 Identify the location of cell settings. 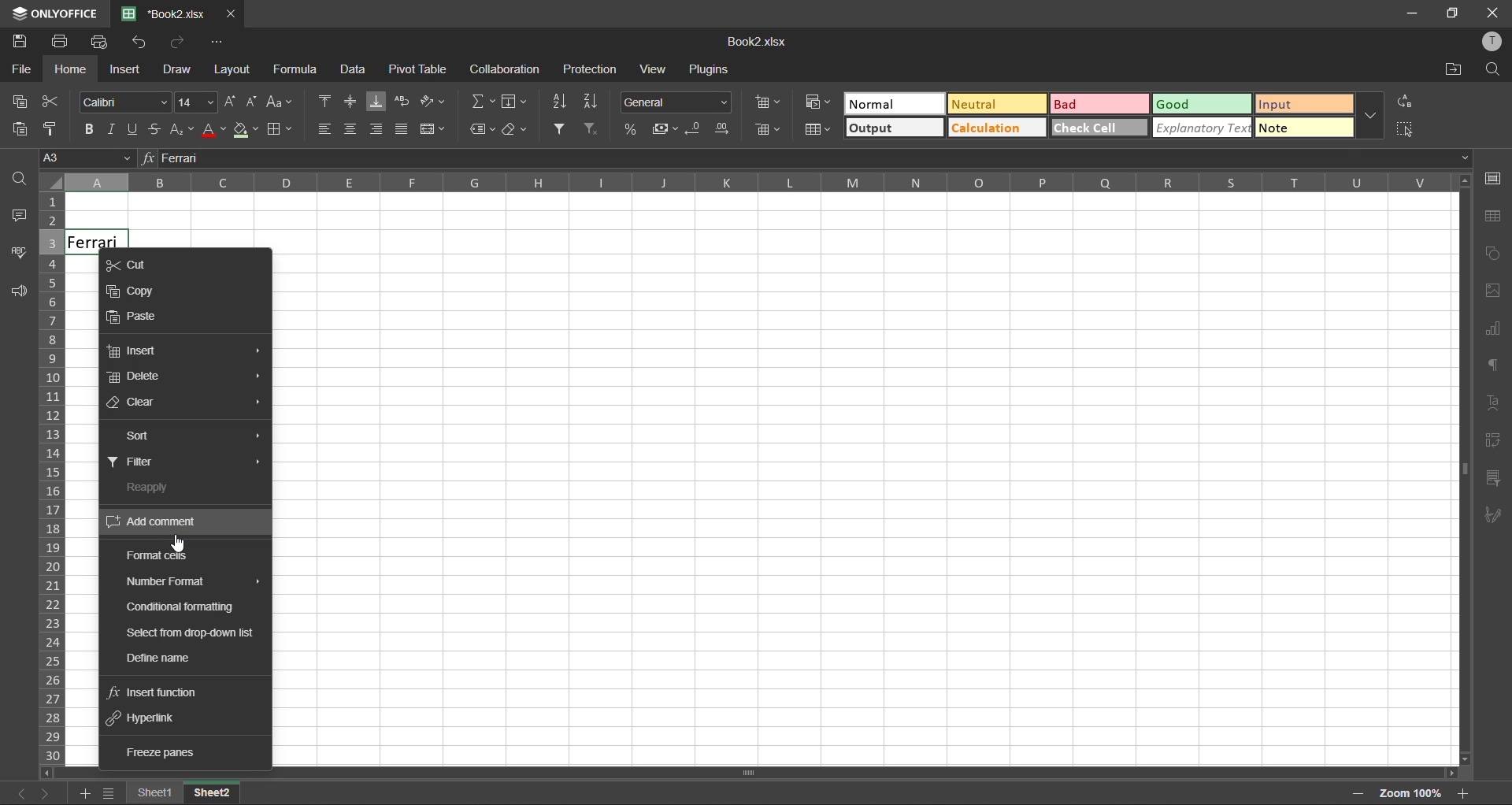
(1494, 178).